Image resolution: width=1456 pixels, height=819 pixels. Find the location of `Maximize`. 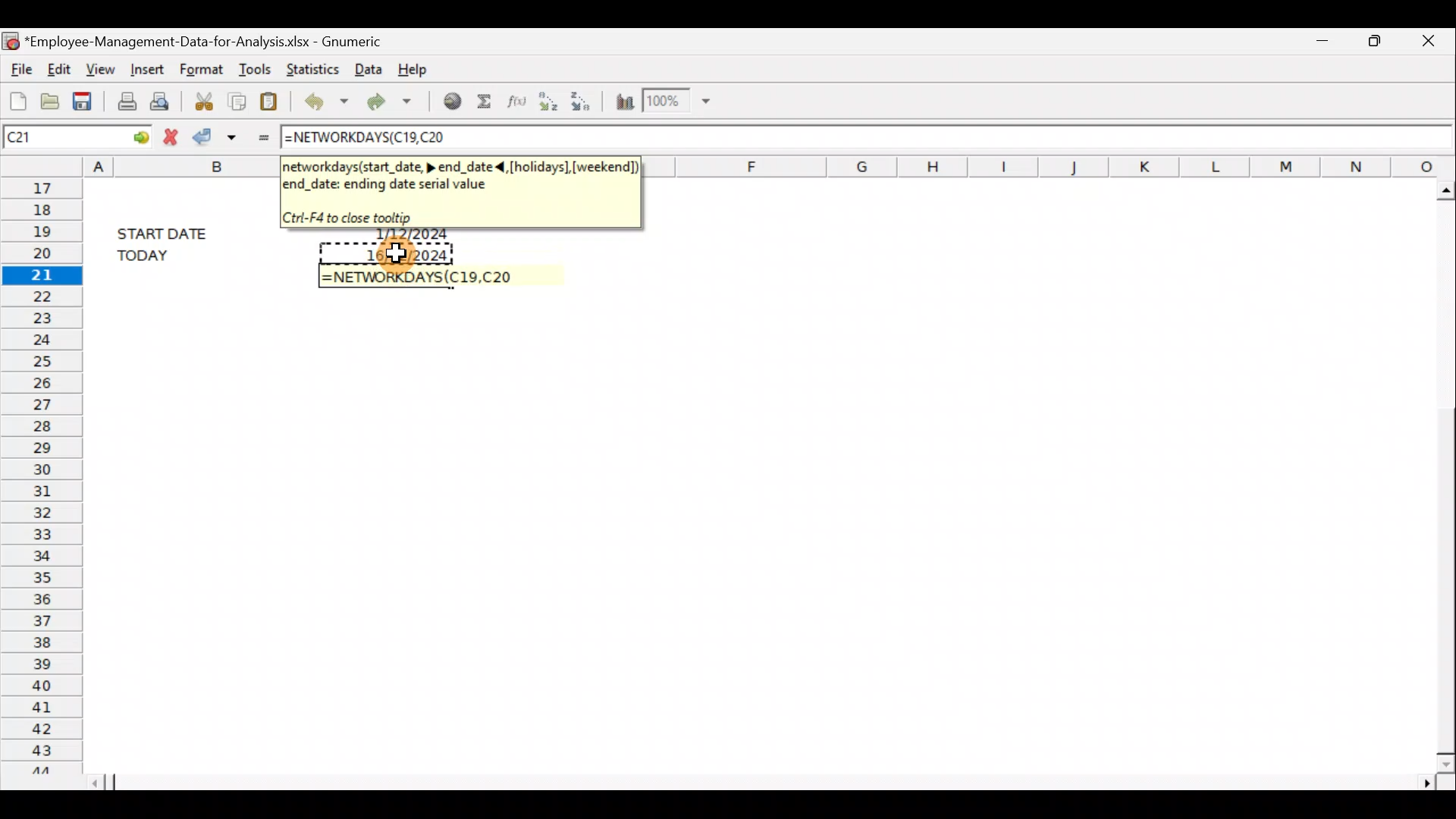

Maximize is located at coordinates (1374, 42).